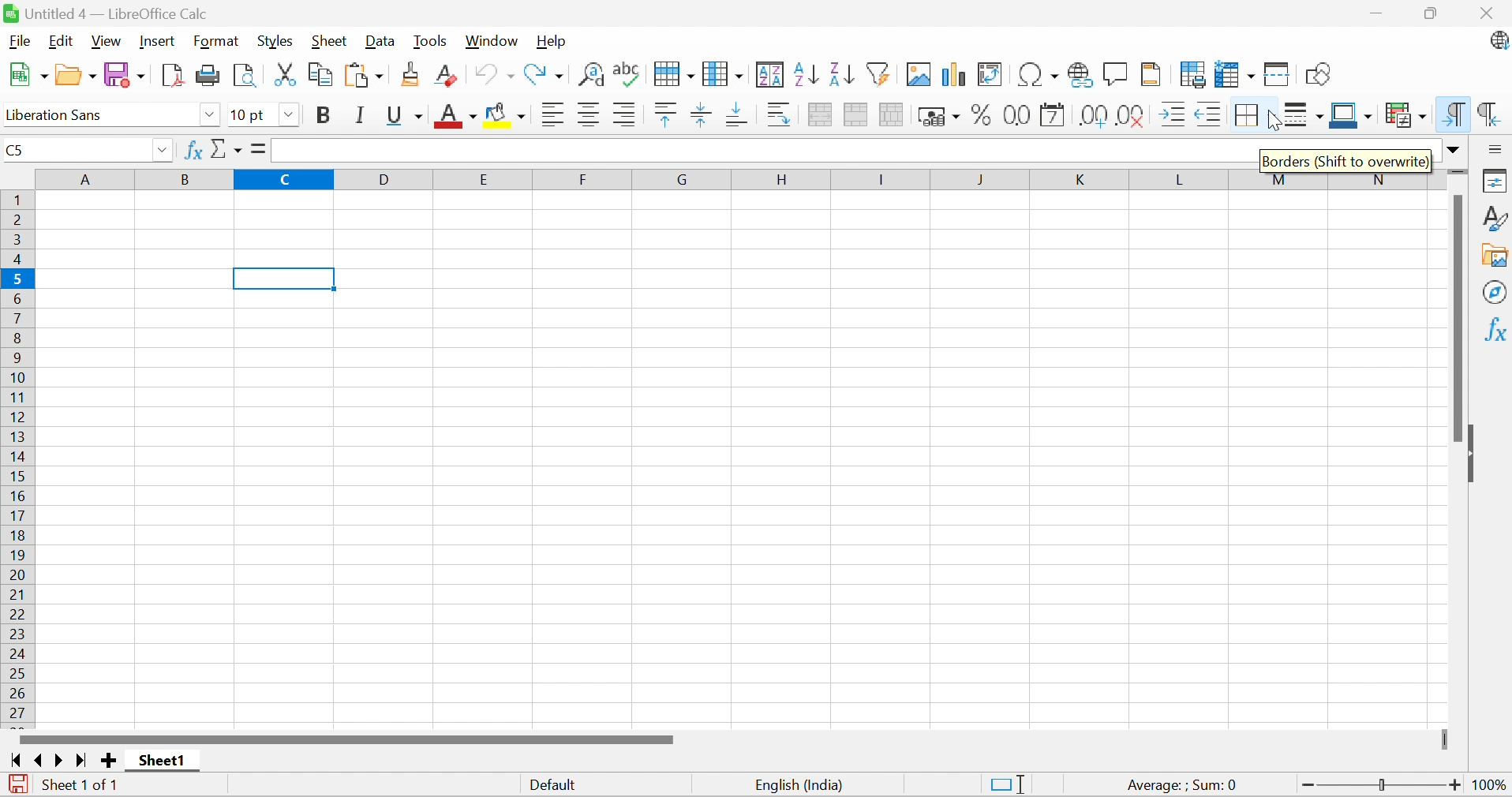  What do you see at coordinates (162, 152) in the screenshot?
I see `Drop down` at bounding box center [162, 152].